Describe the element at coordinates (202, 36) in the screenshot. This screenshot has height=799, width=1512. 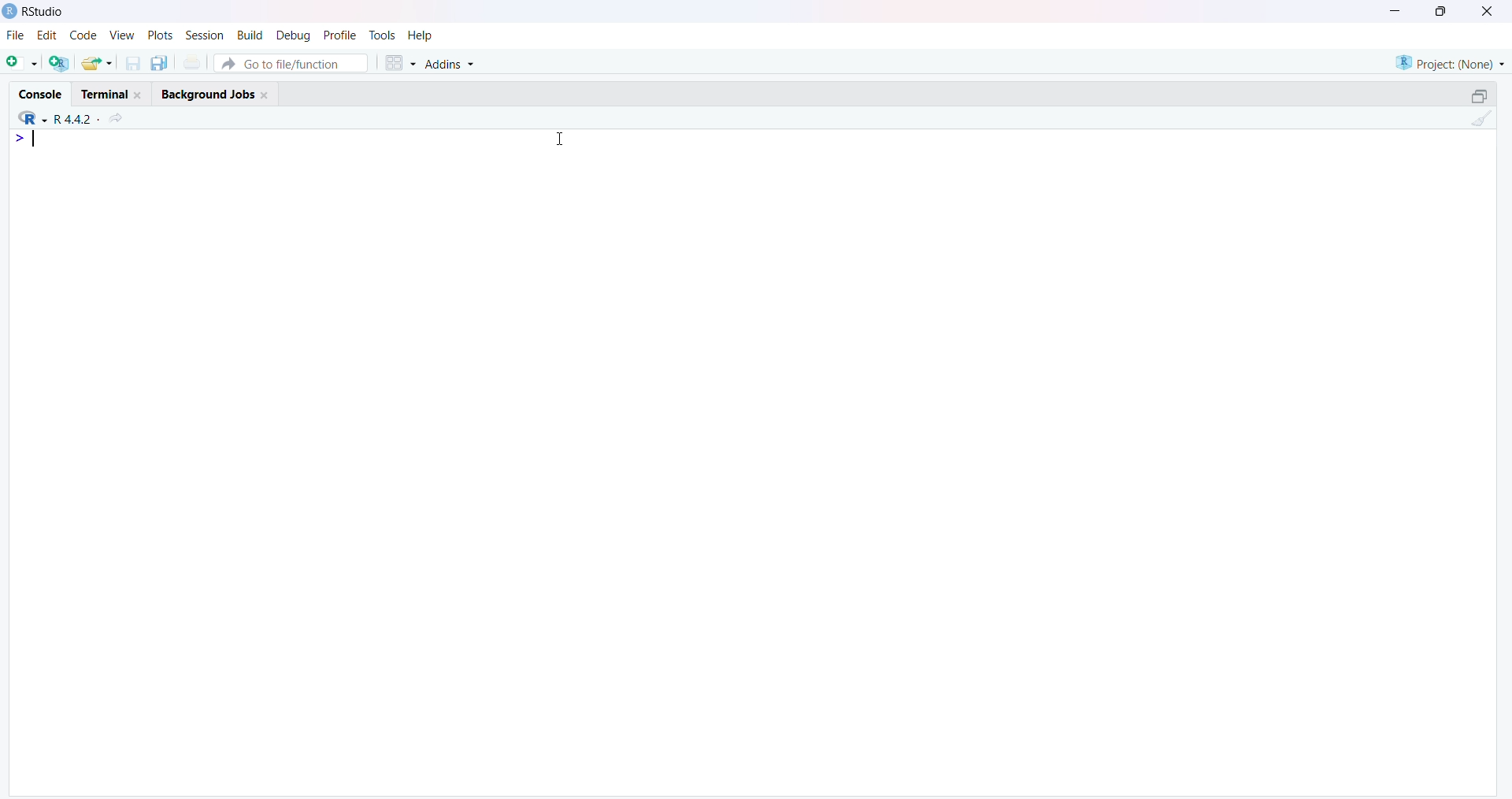
I see `Session` at that location.